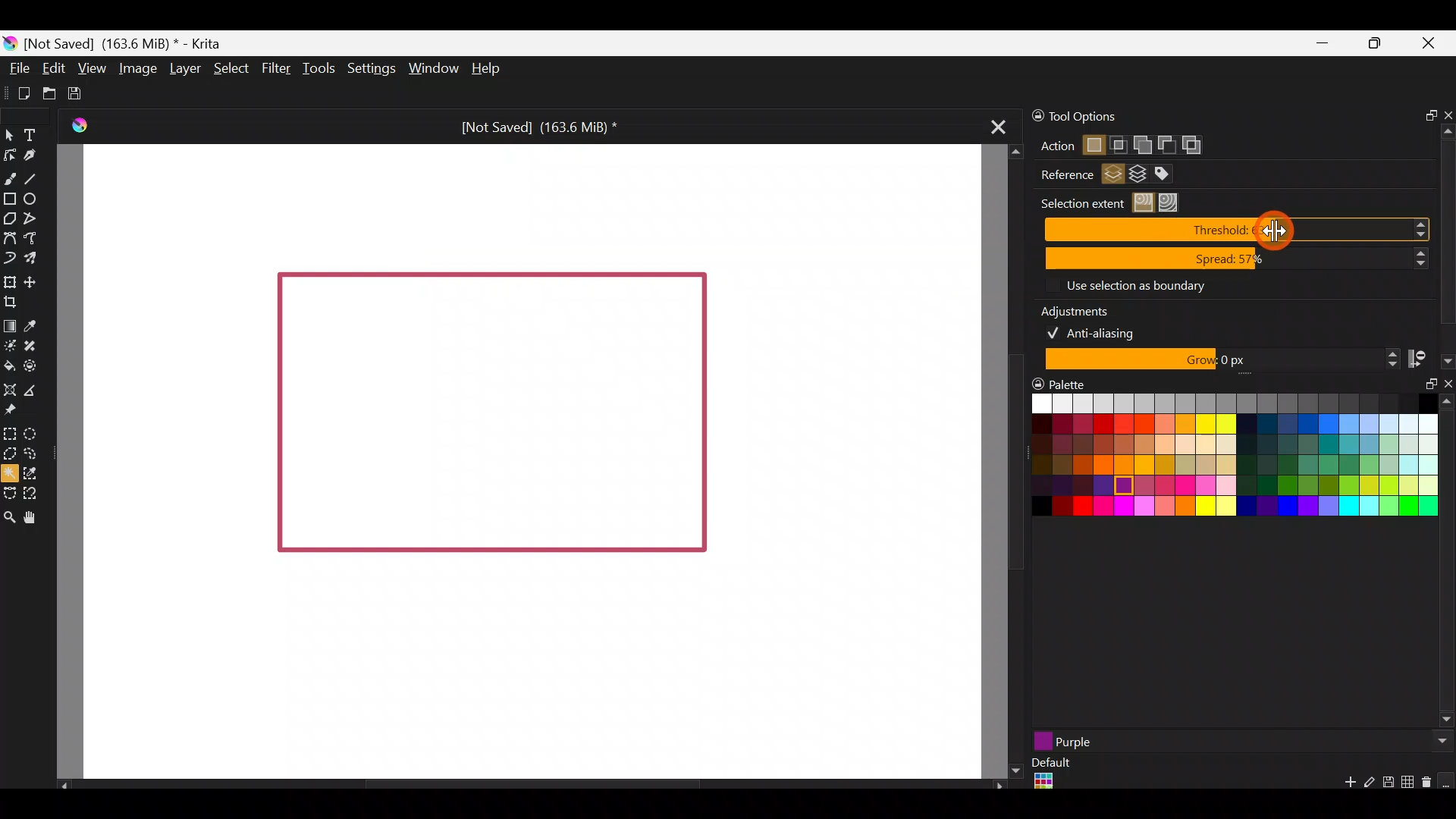 The width and height of the screenshot is (1456, 819). Describe the element at coordinates (10, 388) in the screenshot. I see `Assistant tool` at that location.